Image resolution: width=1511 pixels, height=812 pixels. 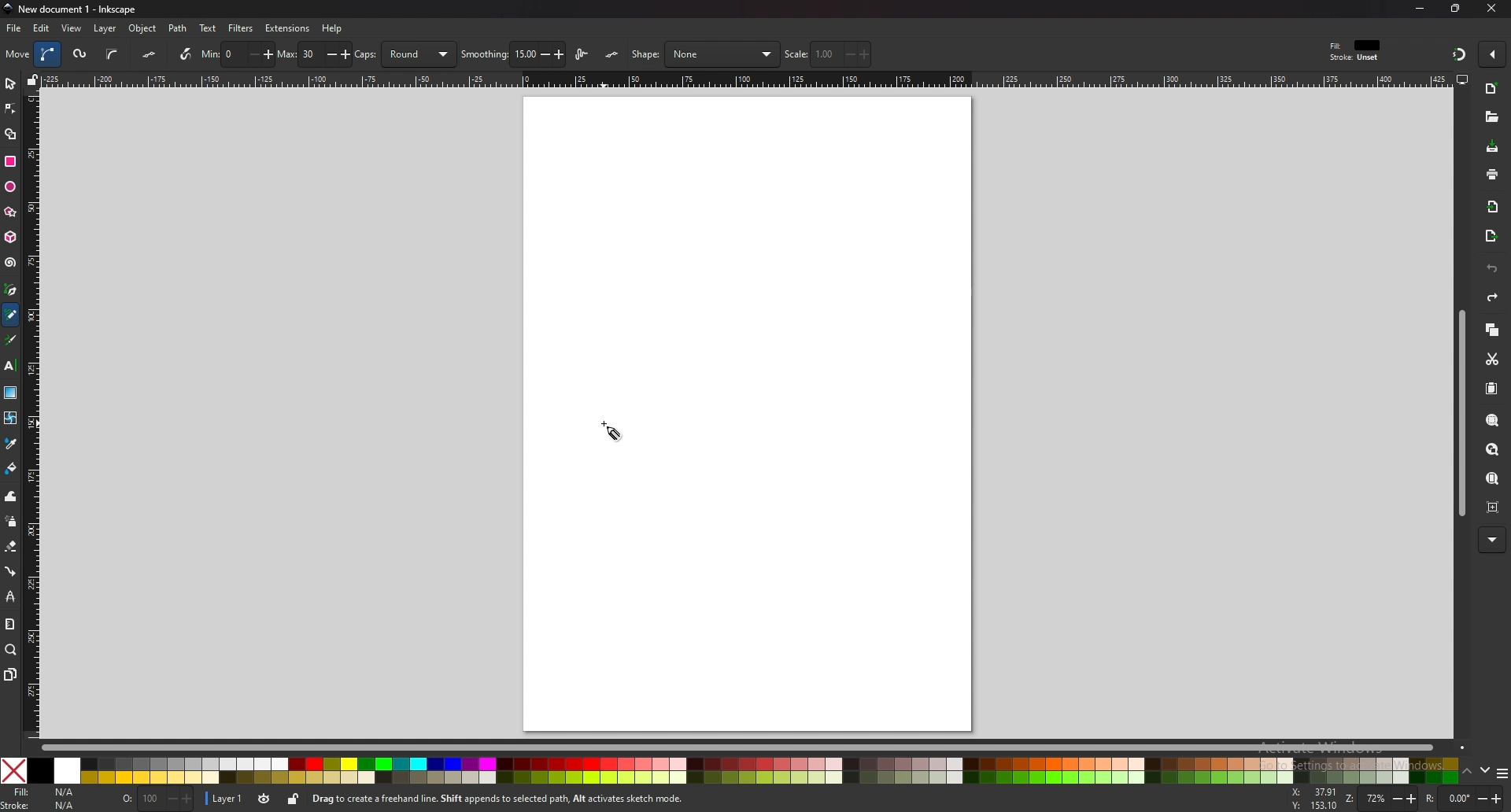 What do you see at coordinates (405, 54) in the screenshot?
I see `caps` at bounding box center [405, 54].